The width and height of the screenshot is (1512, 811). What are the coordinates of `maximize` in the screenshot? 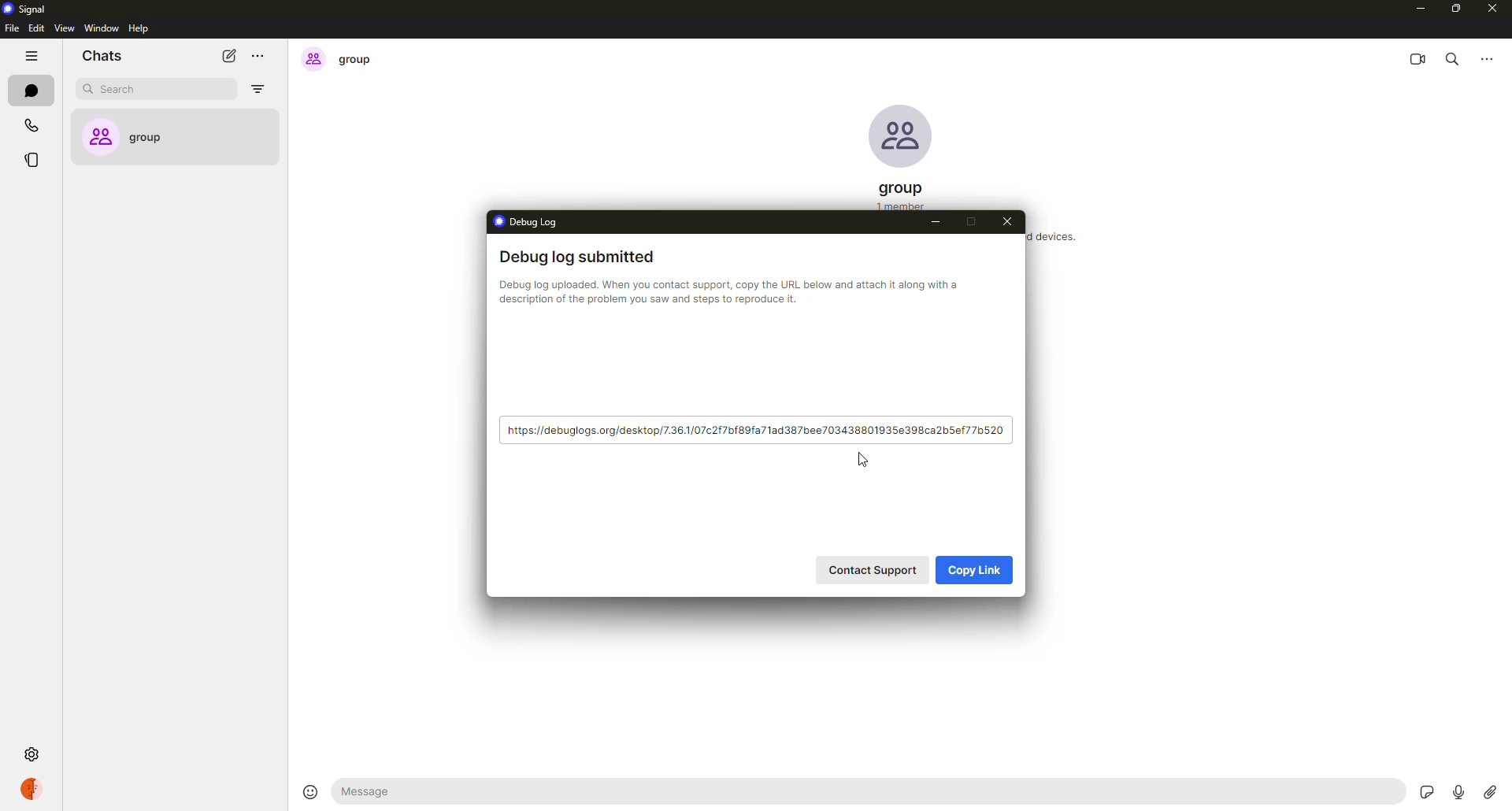 It's located at (1456, 10).